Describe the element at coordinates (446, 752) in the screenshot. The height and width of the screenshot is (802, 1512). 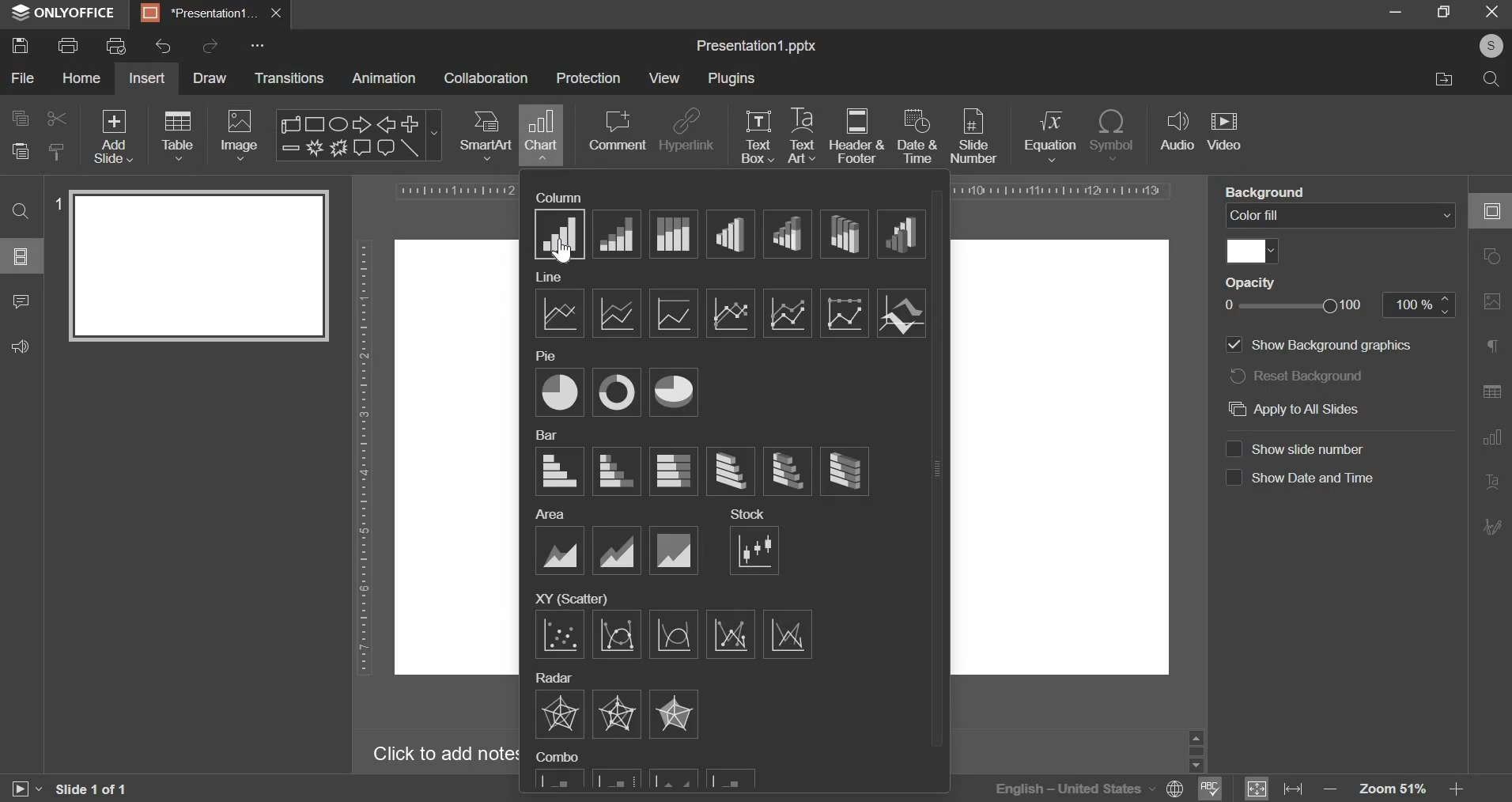
I see `click to add notes` at that location.